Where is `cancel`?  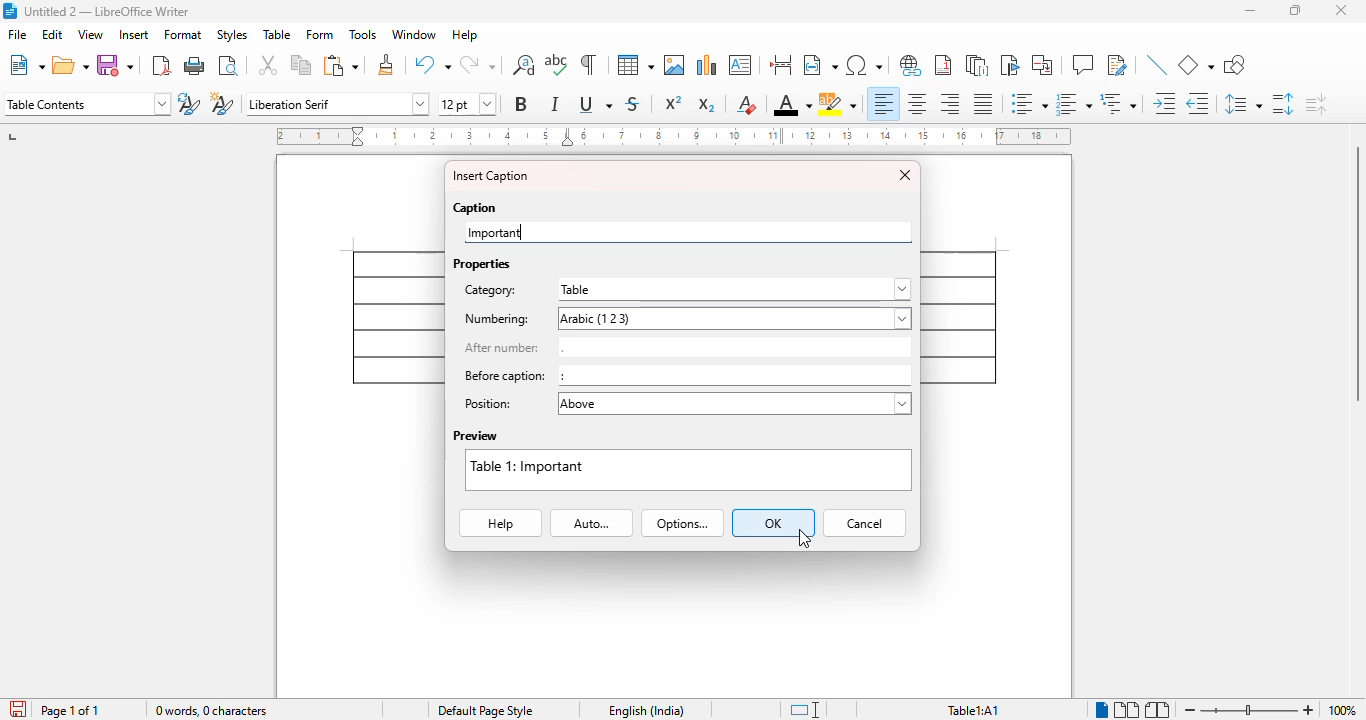 cancel is located at coordinates (864, 523).